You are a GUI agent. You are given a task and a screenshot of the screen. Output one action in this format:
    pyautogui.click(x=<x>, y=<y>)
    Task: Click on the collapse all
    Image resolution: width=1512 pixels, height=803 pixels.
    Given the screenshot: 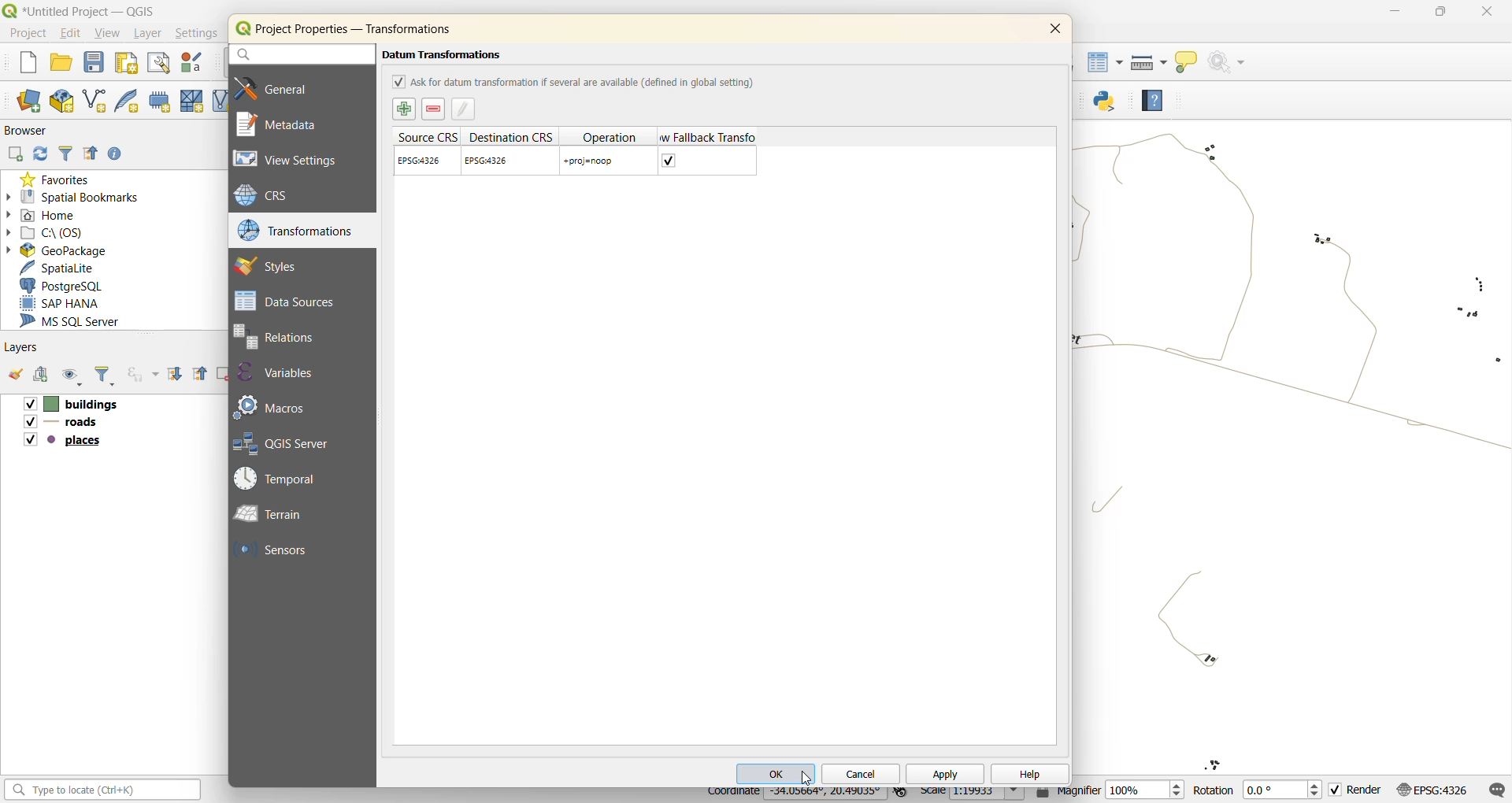 What is the action you would take?
    pyautogui.click(x=200, y=375)
    